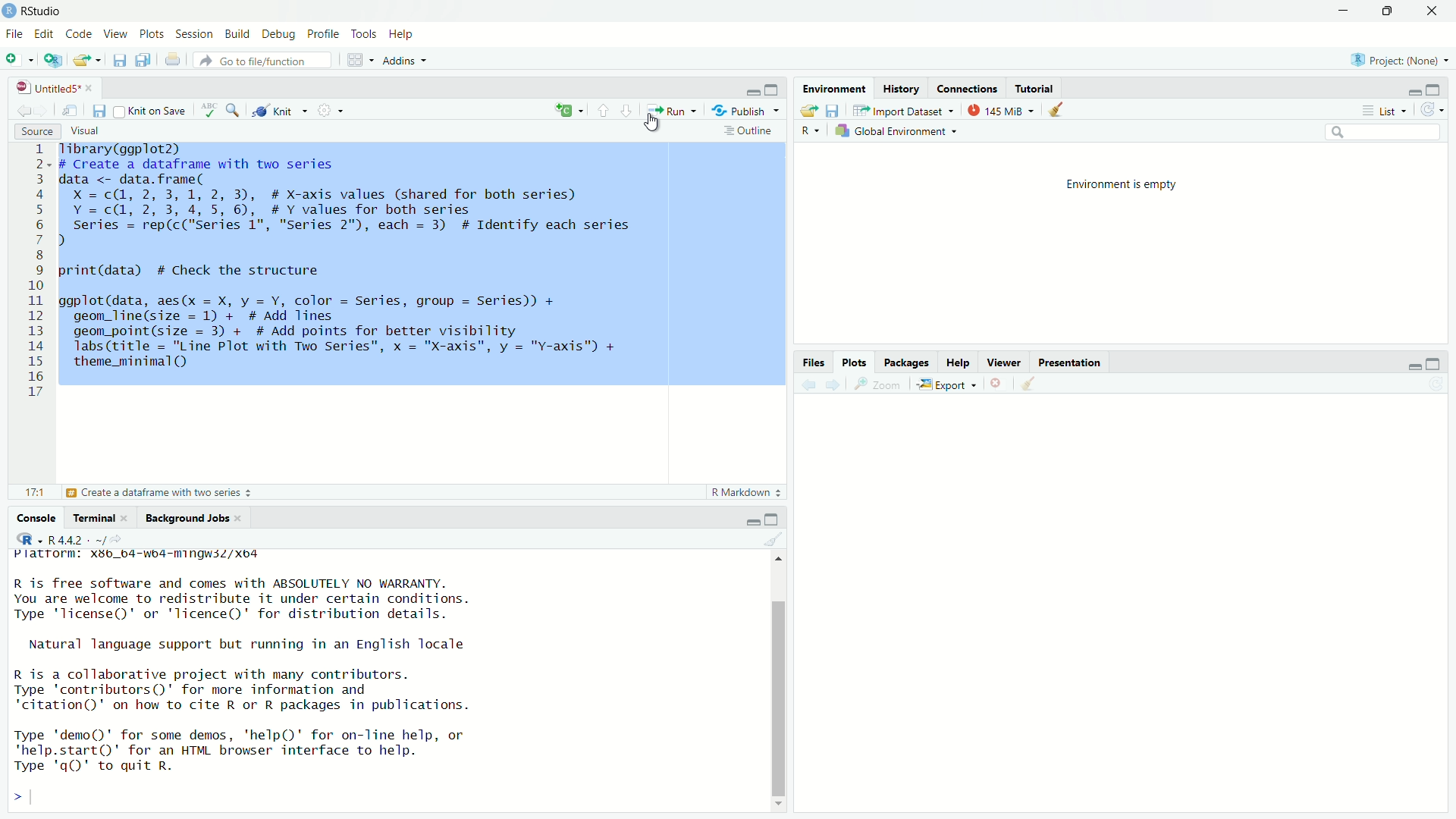  What do you see at coordinates (99, 517) in the screenshot?
I see `Terminal` at bounding box center [99, 517].